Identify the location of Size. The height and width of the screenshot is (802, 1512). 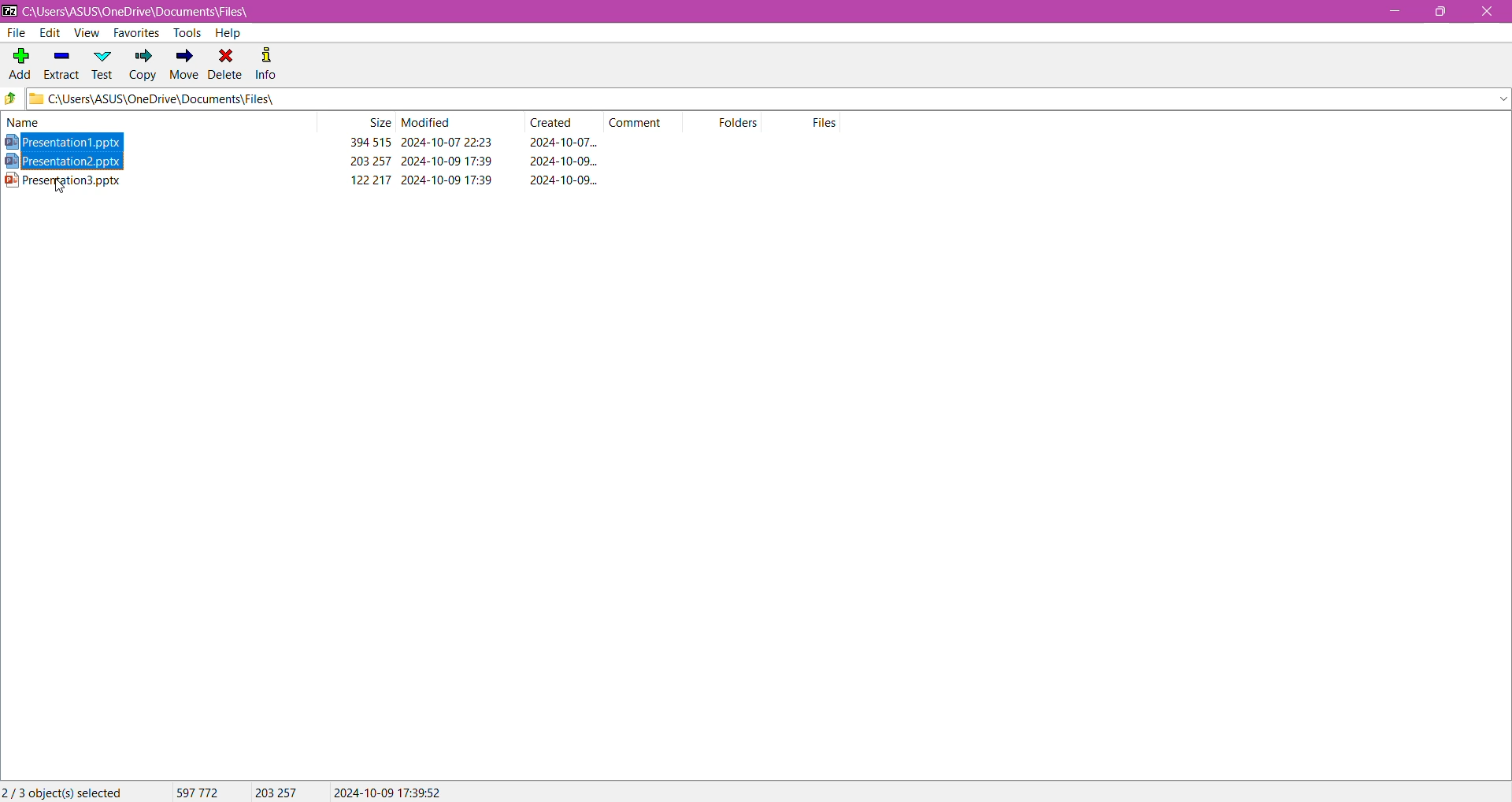
(378, 123).